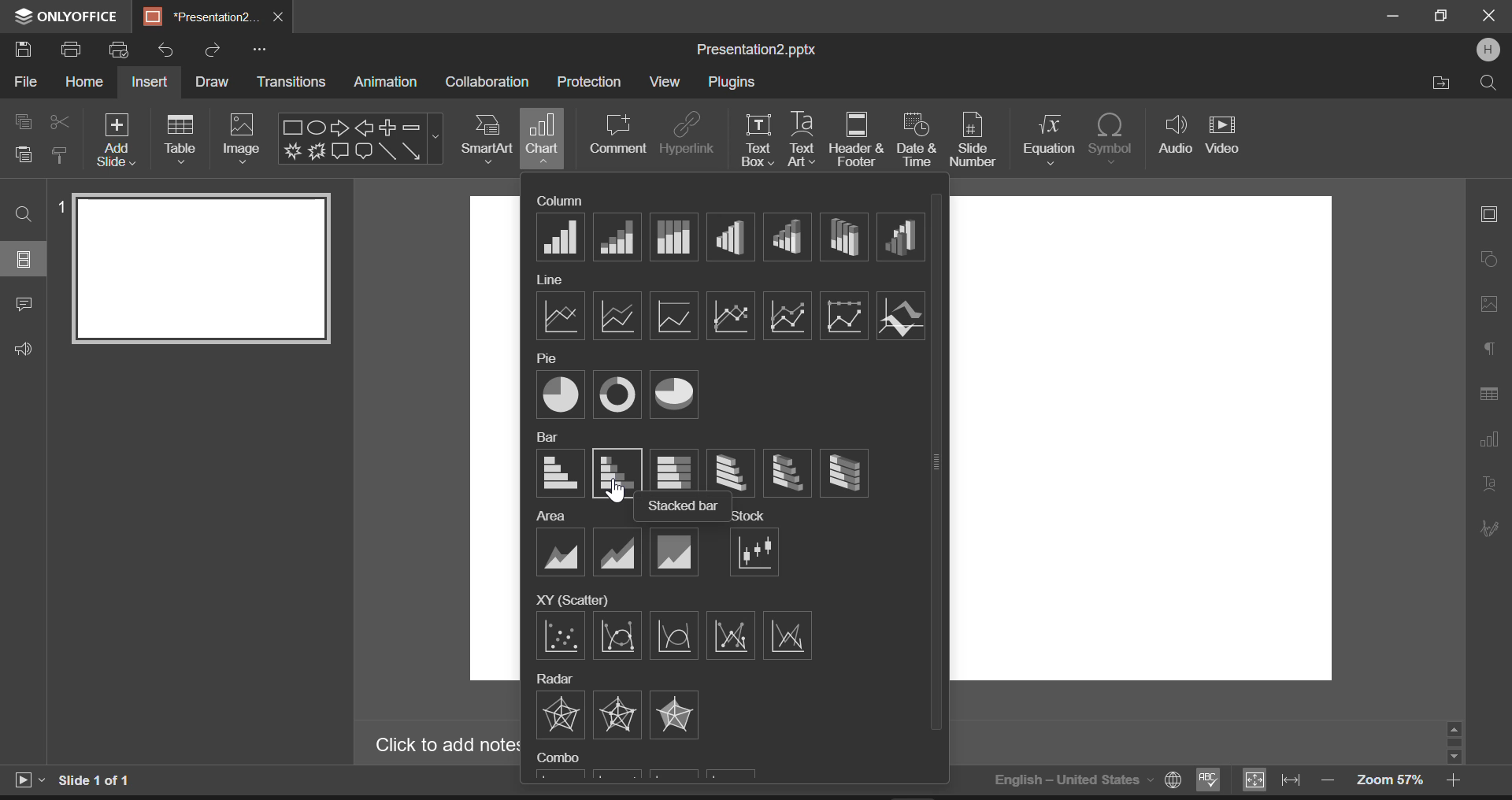 This screenshot has height=800, width=1512. Describe the element at coordinates (1488, 50) in the screenshot. I see `User` at that location.